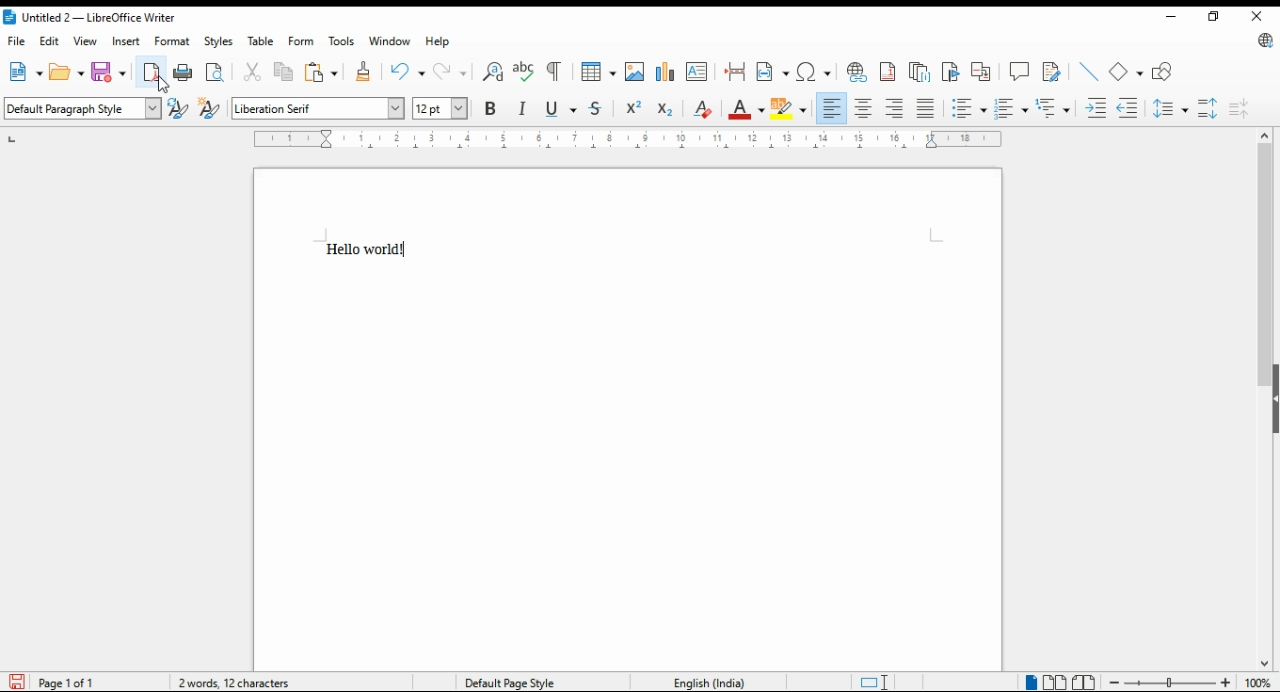  I want to click on toggle ordered list, so click(970, 109).